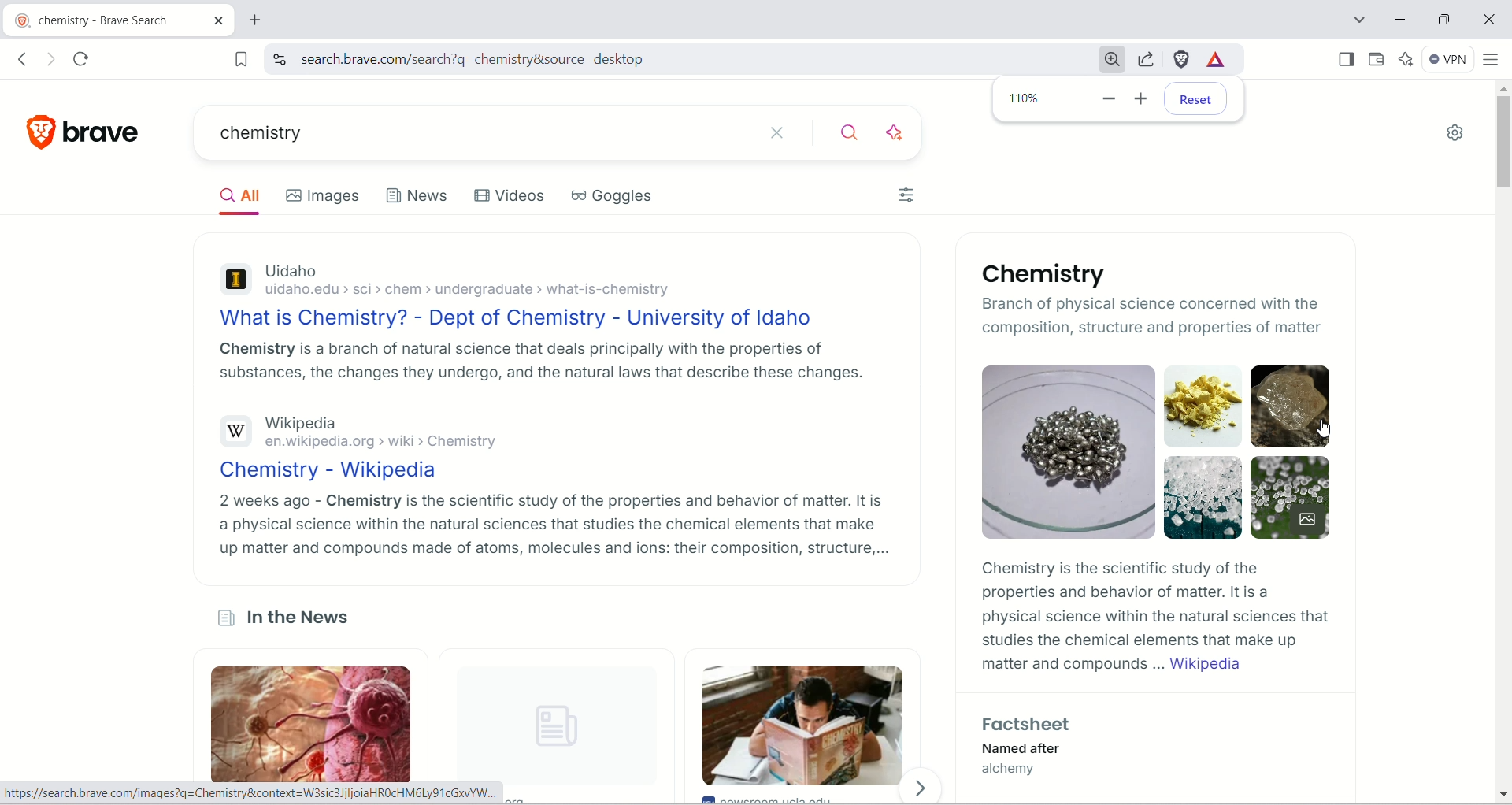 The image size is (1512, 805). I want to click on Chemistry - Website, so click(330, 468).